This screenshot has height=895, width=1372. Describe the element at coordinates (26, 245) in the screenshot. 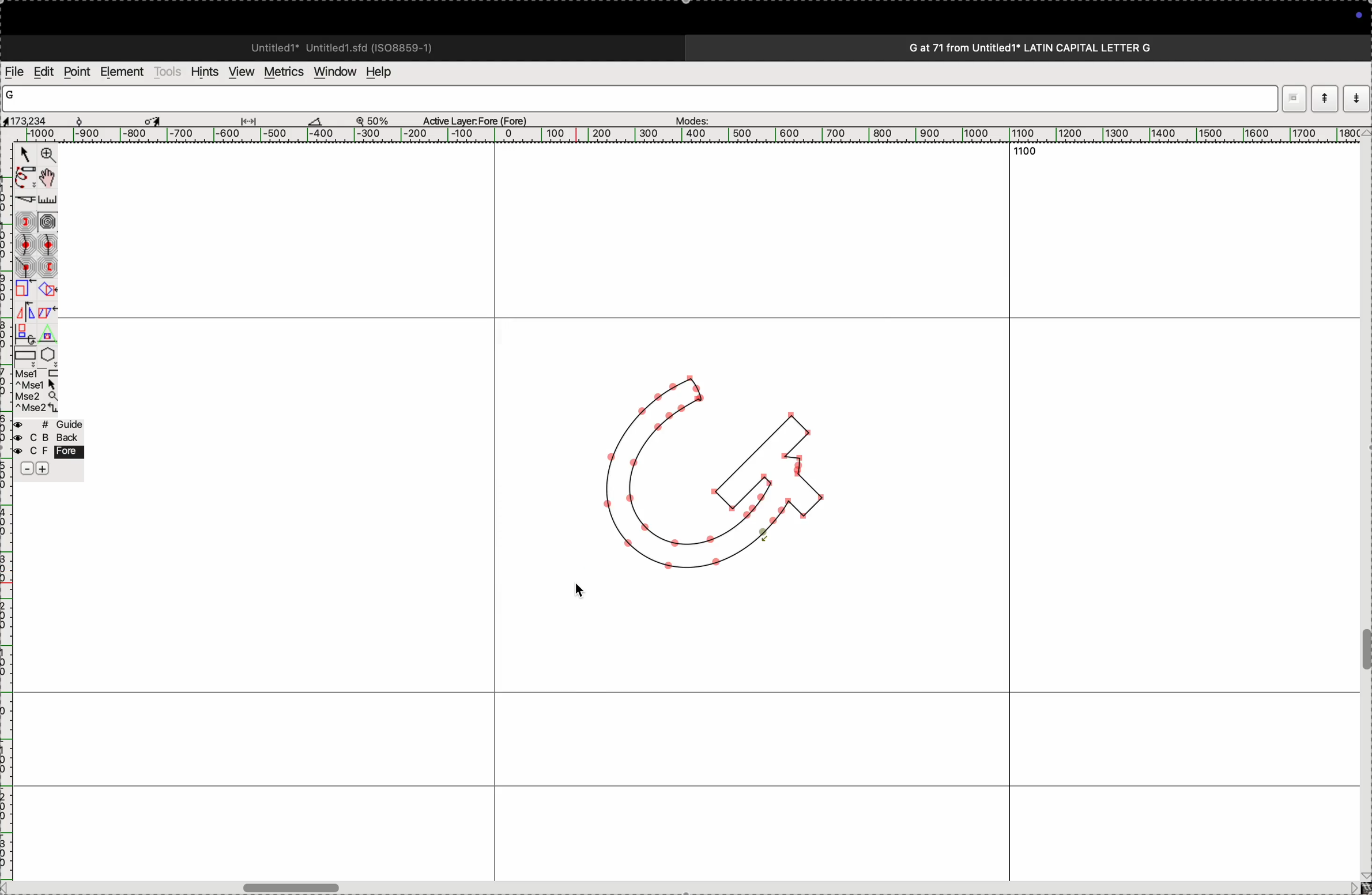

I see `gentle curve` at that location.